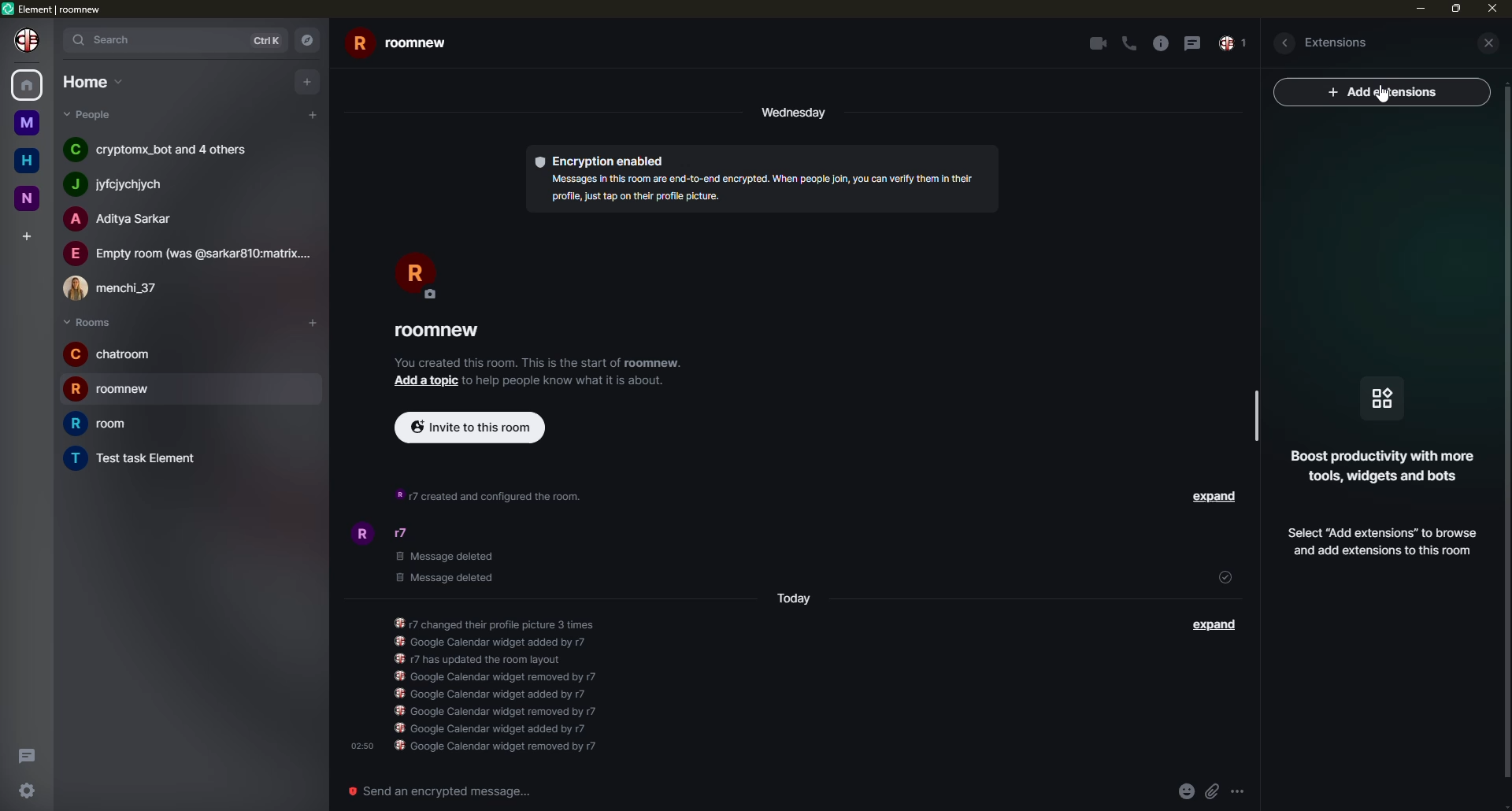  I want to click on icon, so click(1379, 398).